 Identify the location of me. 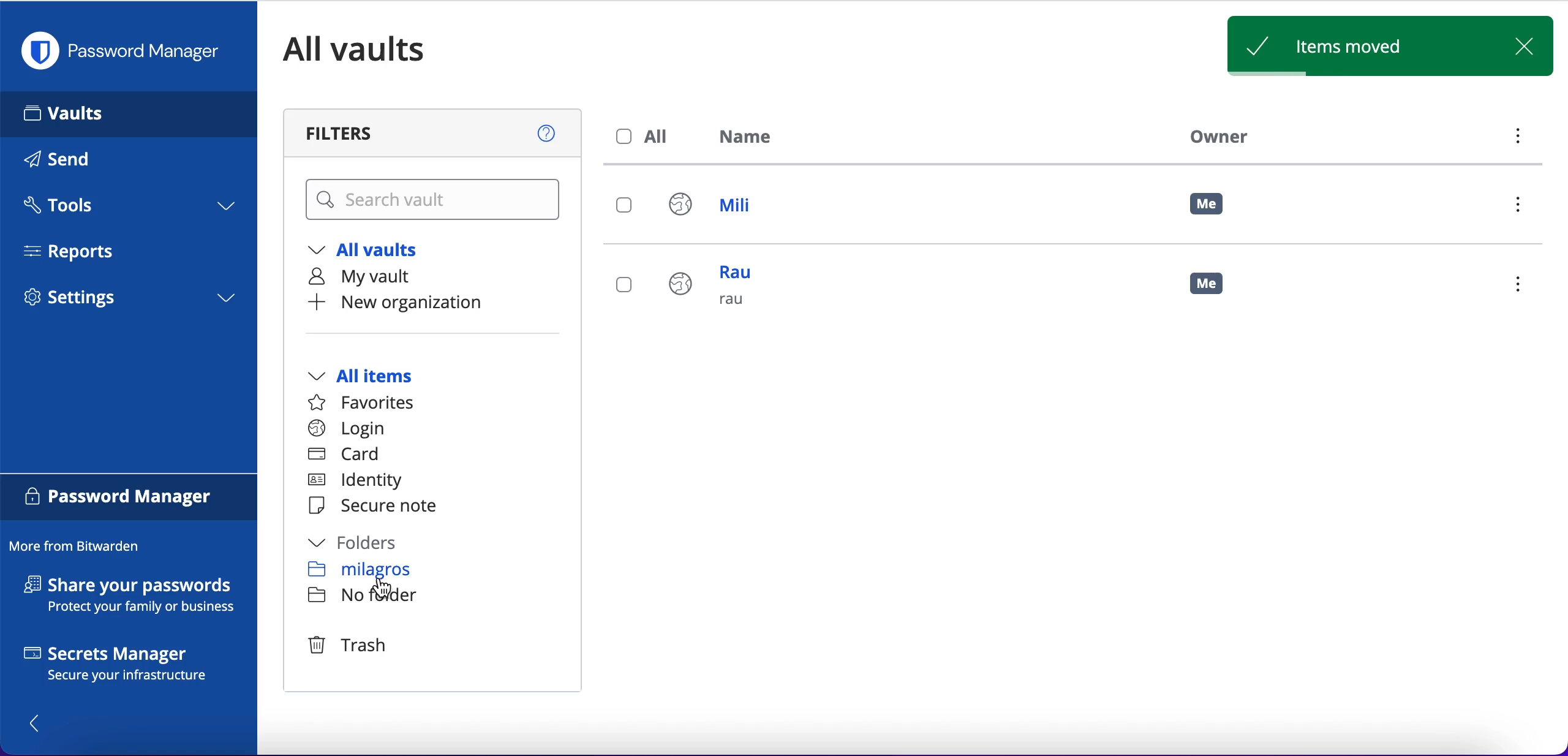
(1208, 205).